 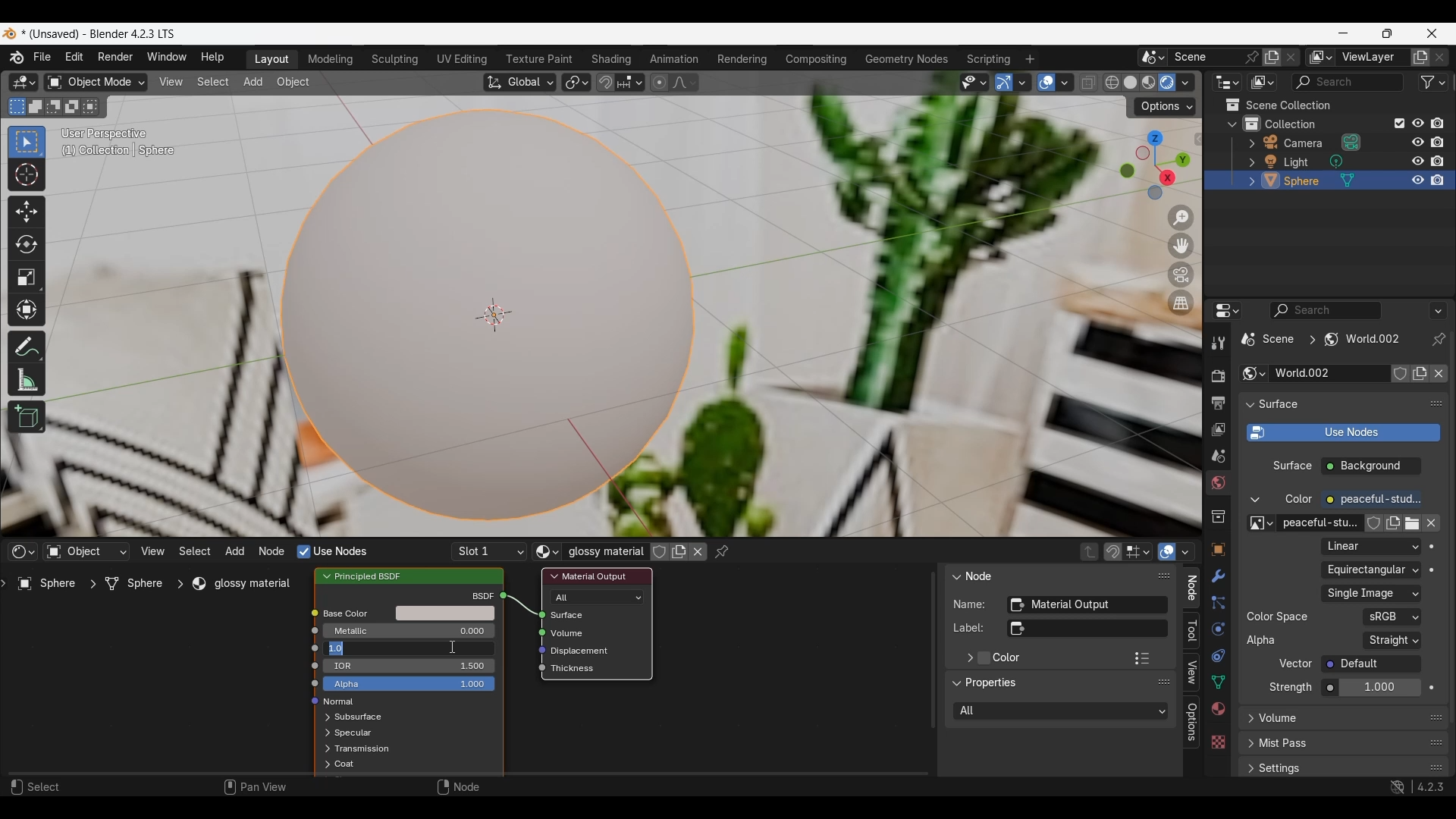 I want to click on  glossy material, so click(x=246, y=584).